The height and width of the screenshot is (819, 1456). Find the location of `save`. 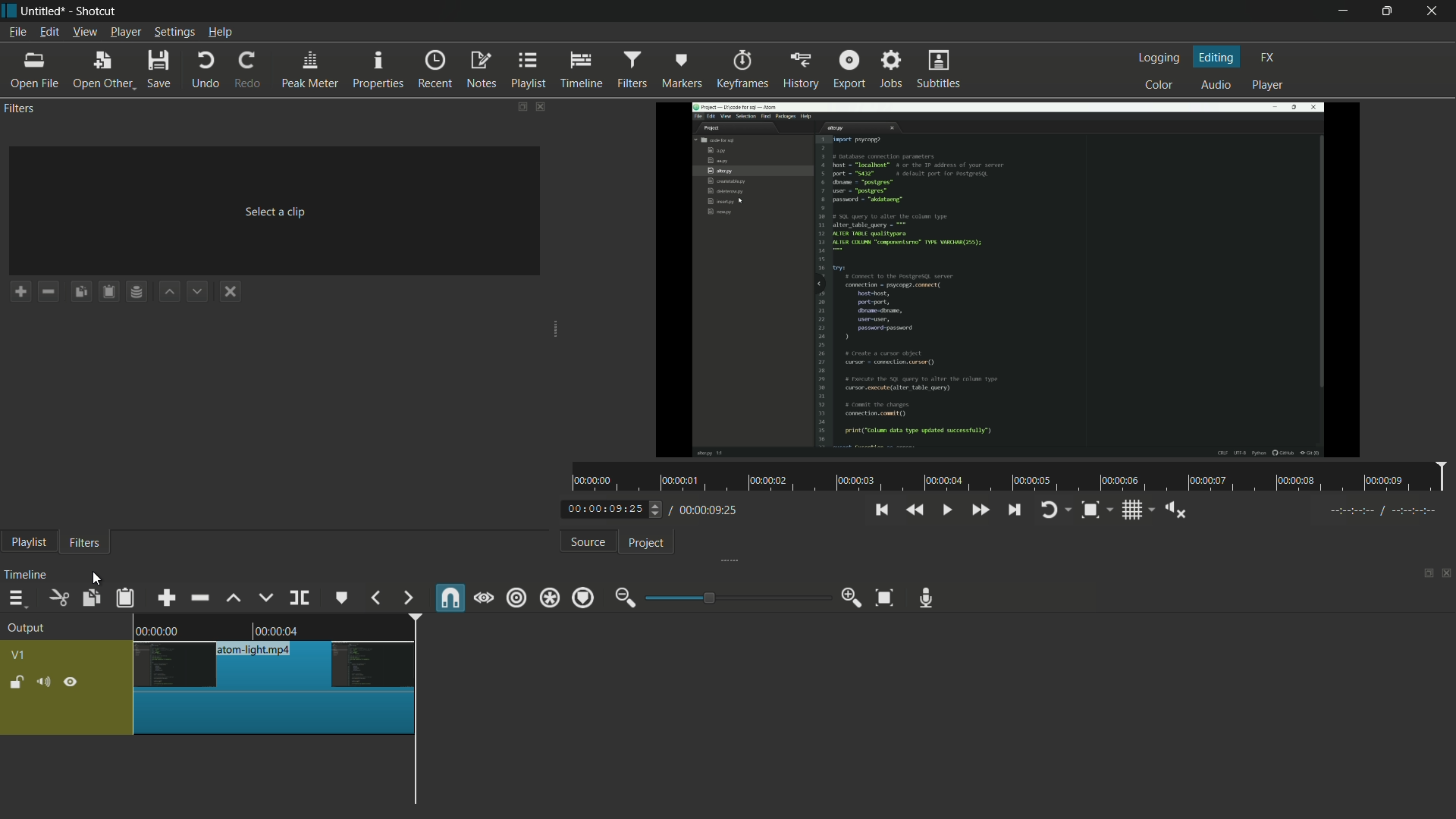

save is located at coordinates (160, 69).